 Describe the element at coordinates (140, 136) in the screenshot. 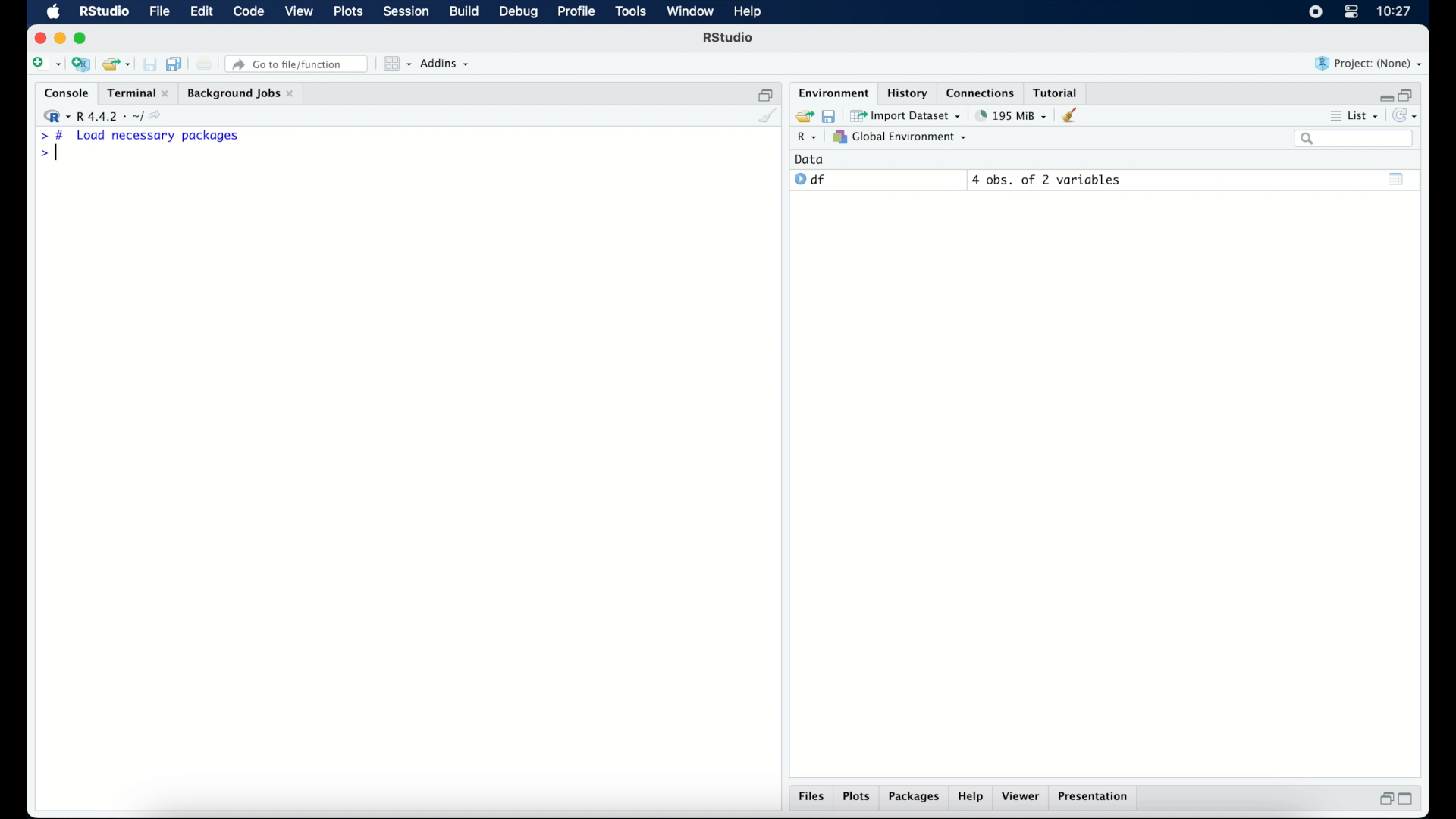

I see `> # Load necessary packages|` at that location.